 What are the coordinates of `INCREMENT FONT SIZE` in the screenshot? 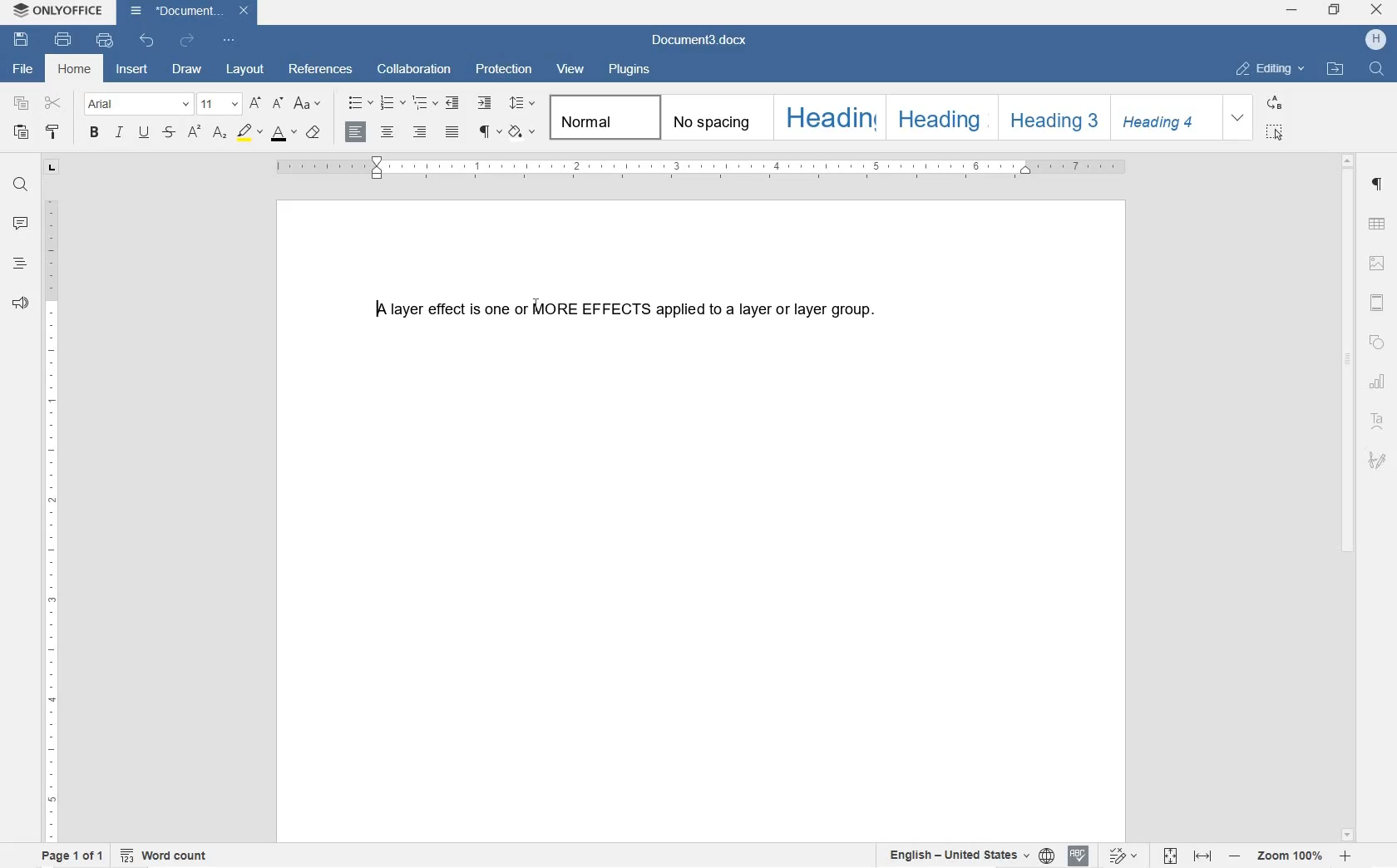 It's located at (278, 104).